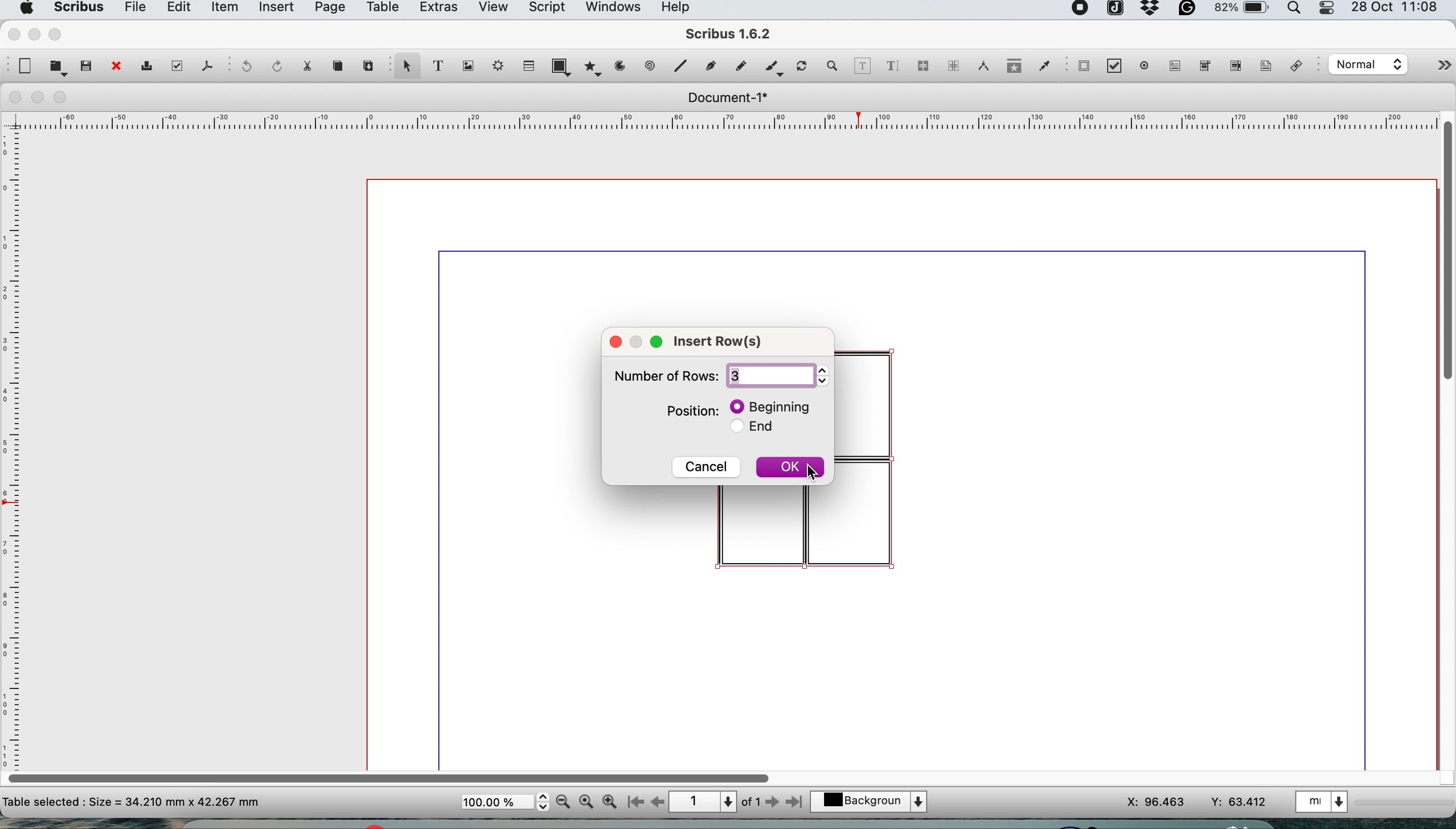  Describe the element at coordinates (1011, 69) in the screenshot. I see `copy item properties` at that location.